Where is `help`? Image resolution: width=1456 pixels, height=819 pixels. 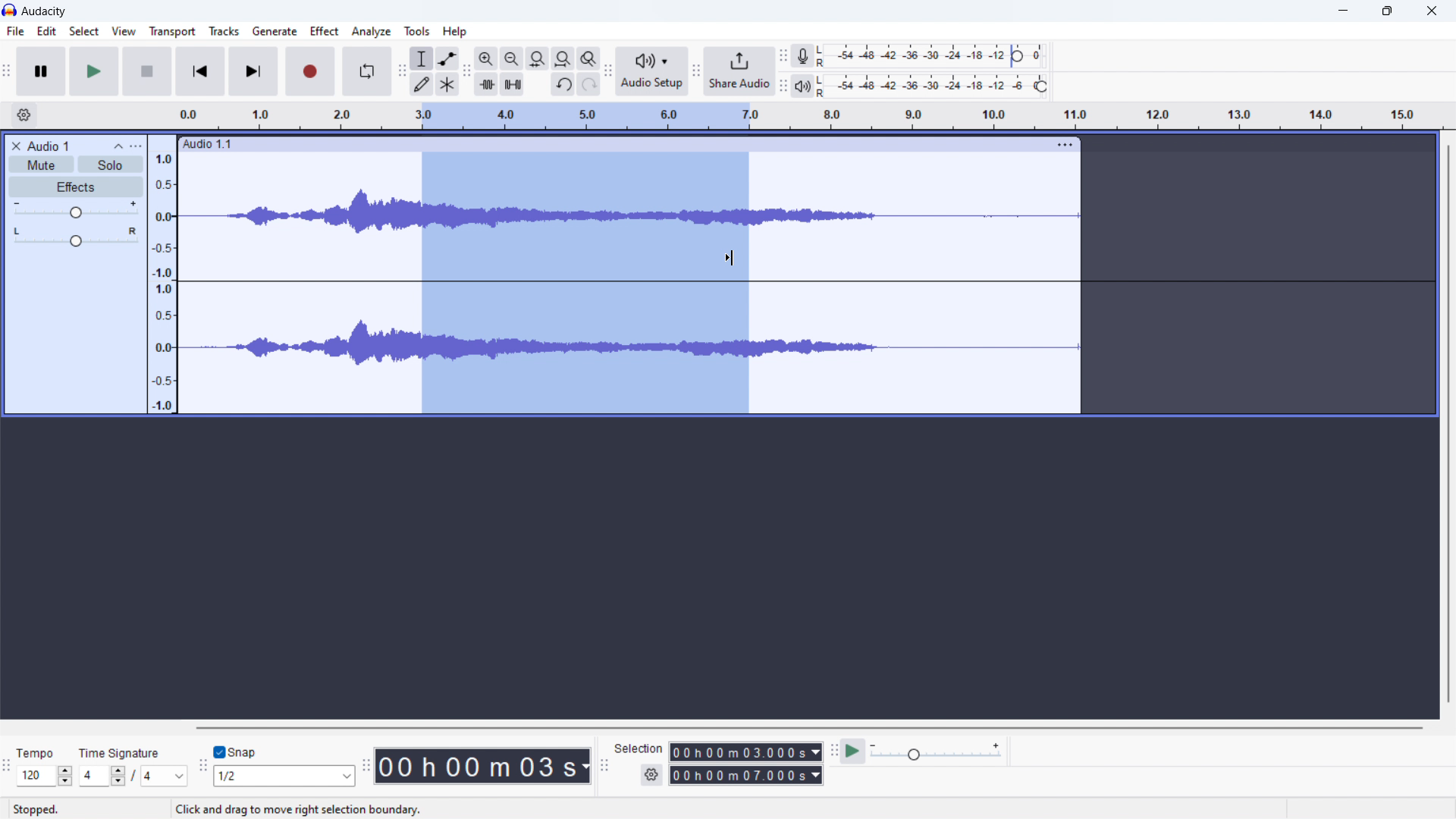 help is located at coordinates (453, 32).